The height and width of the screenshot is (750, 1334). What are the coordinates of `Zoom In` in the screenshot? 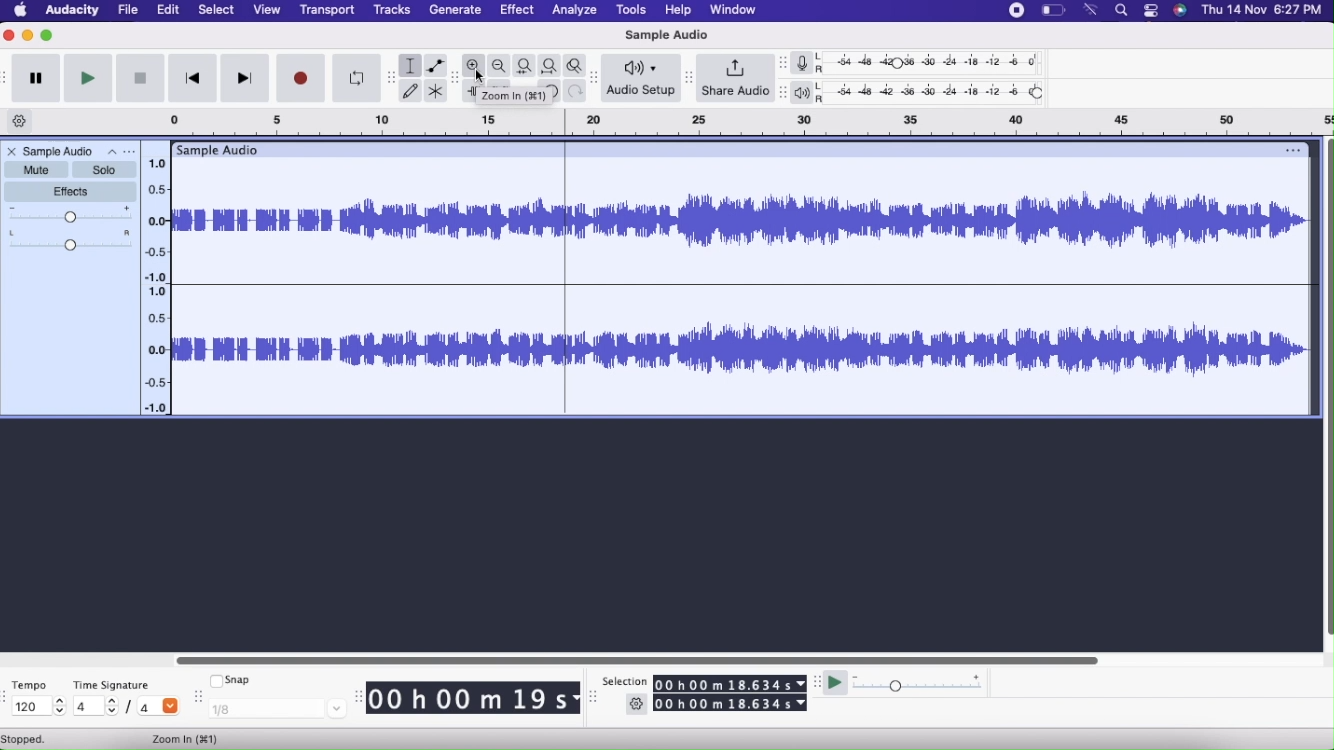 It's located at (474, 65).